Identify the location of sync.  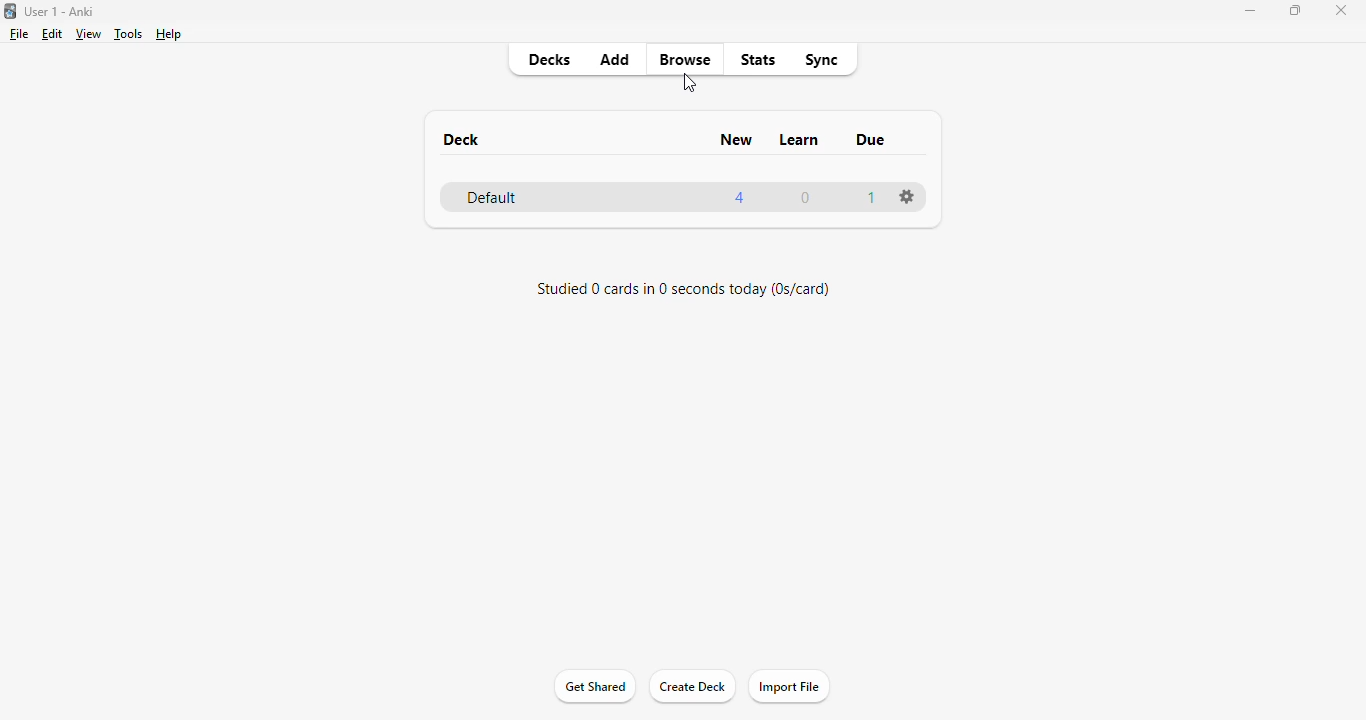
(823, 60).